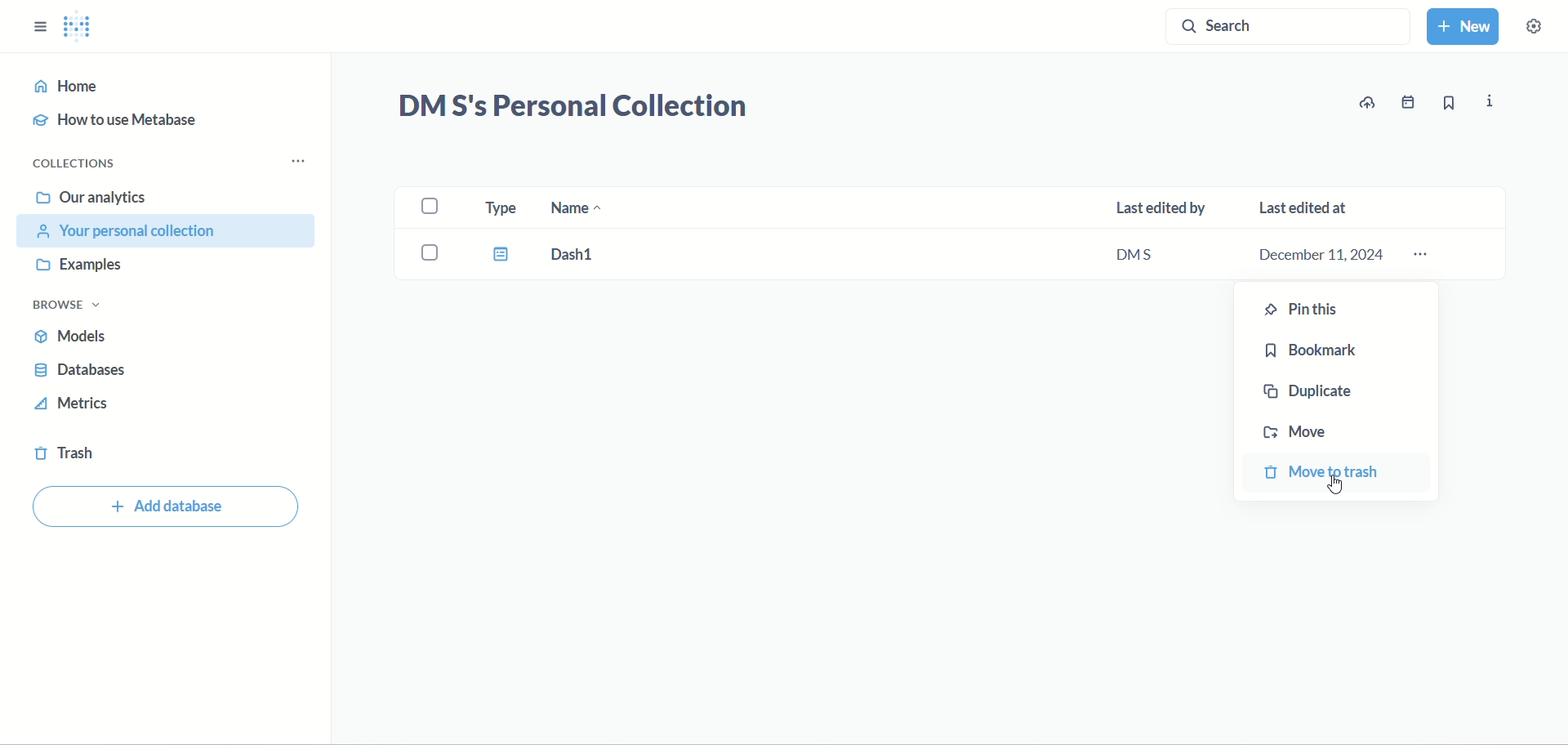 This screenshot has height=745, width=1568. What do you see at coordinates (74, 306) in the screenshot?
I see `browse` at bounding box center [74, 306].